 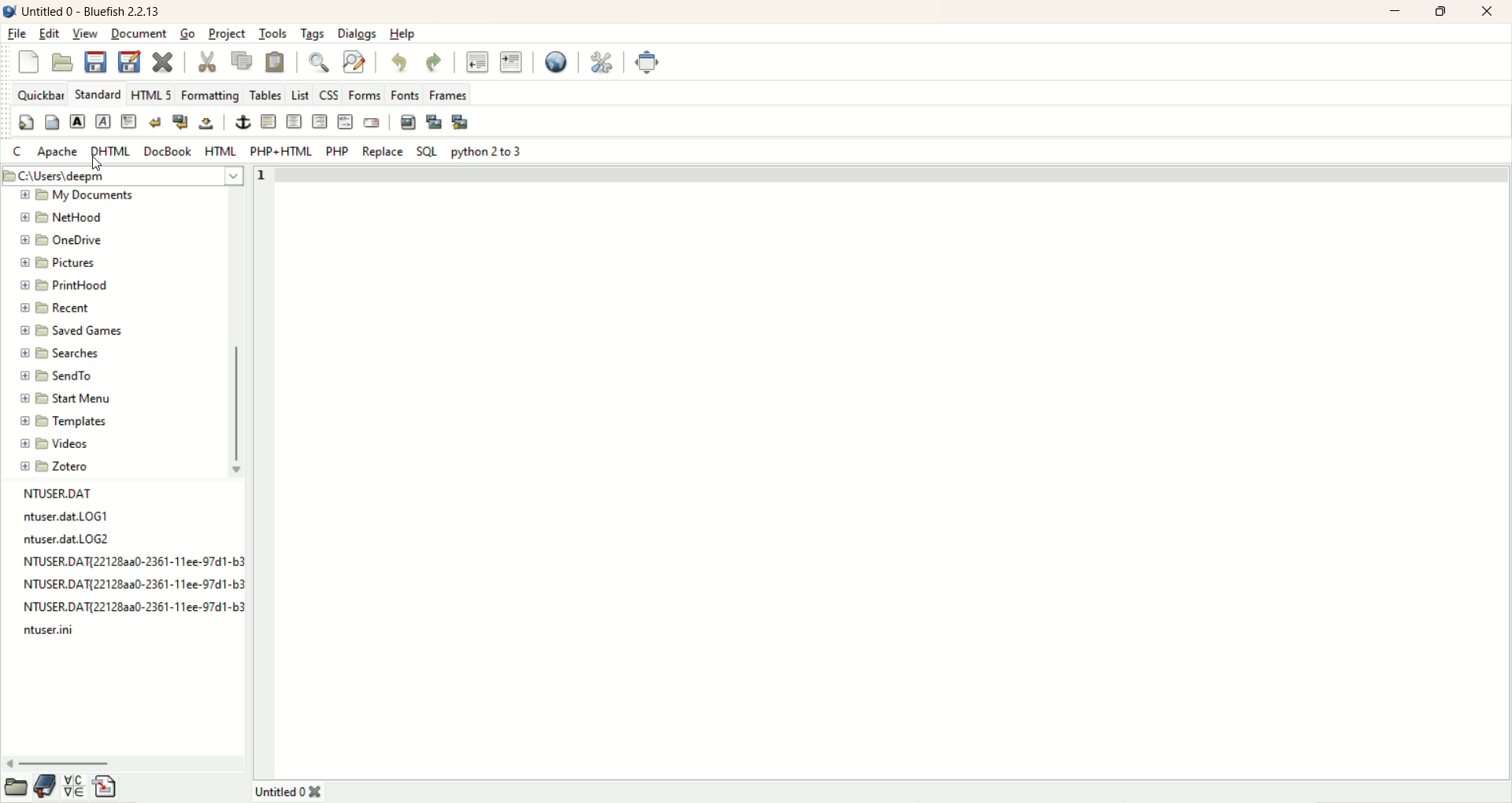 What do you see at coordinates (130, 605) in the screenshot?
I see `file` at bounding box center [130, 605].